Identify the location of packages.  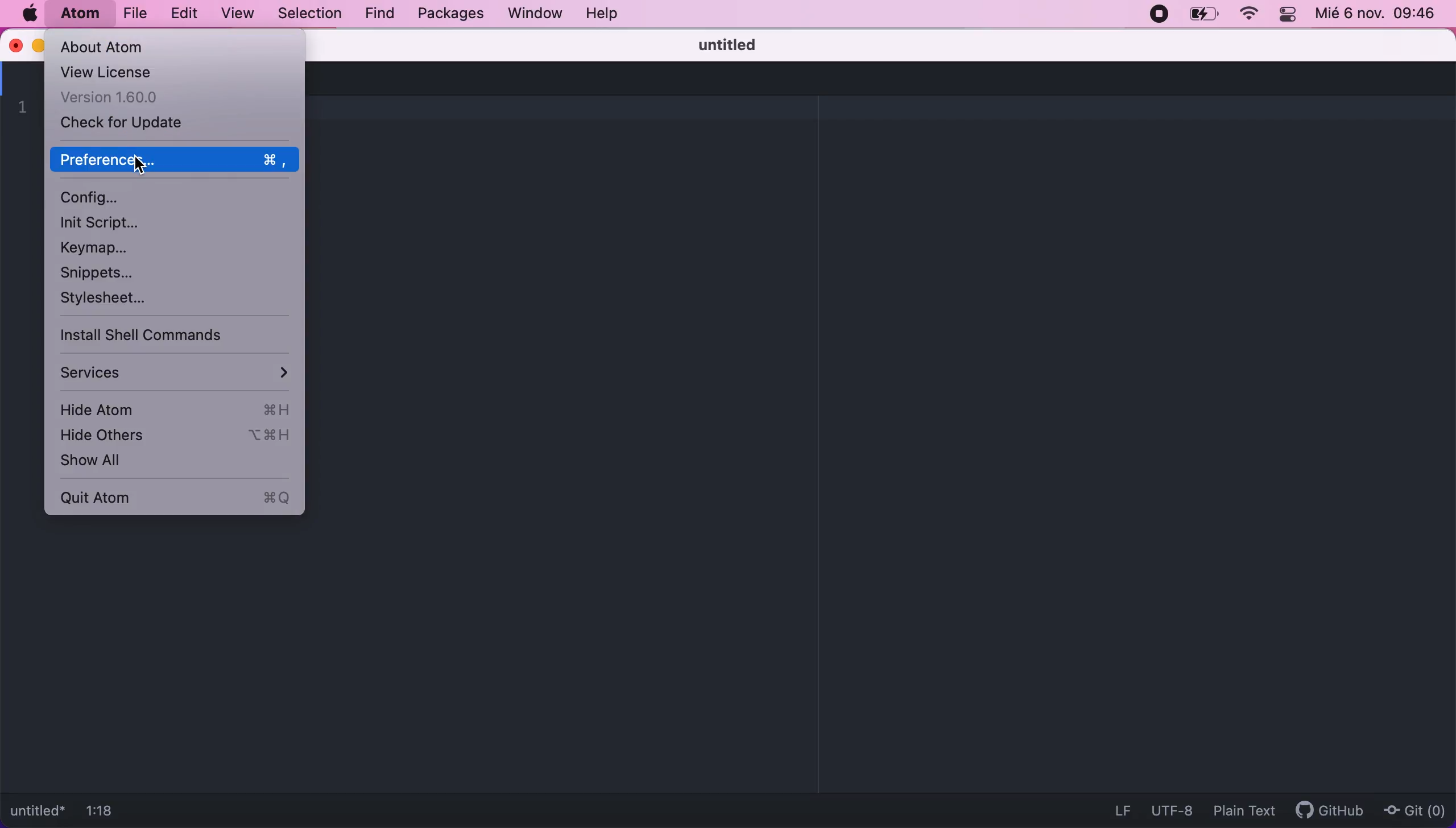
(449, 16).